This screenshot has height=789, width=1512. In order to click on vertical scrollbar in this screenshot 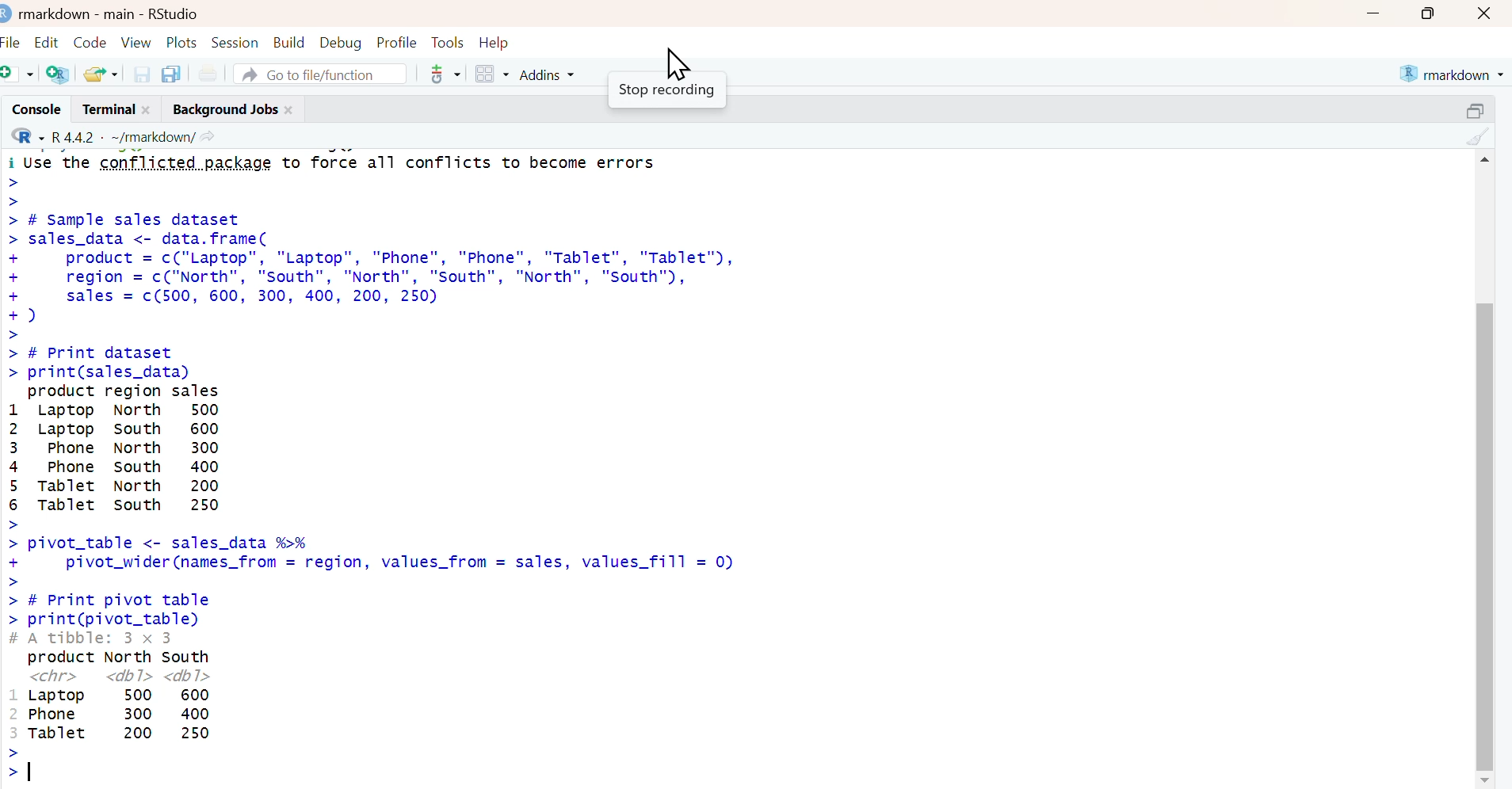, I will do `click(1484, 491)`.